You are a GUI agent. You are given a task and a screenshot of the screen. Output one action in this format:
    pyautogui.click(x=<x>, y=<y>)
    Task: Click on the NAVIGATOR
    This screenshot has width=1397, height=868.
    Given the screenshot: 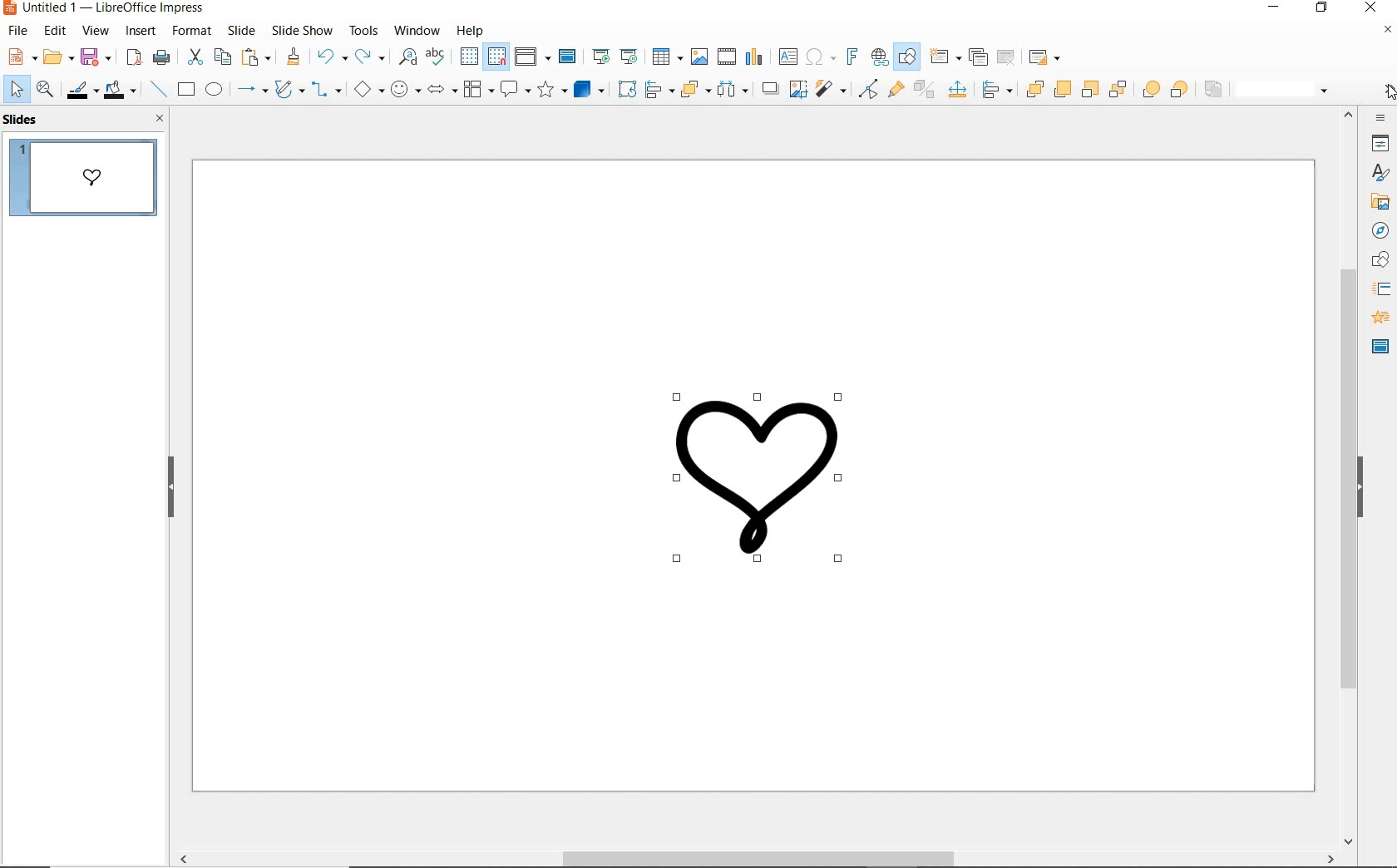 What is the action you would take?
    pyautogui.click(x=1381, y=232)
    